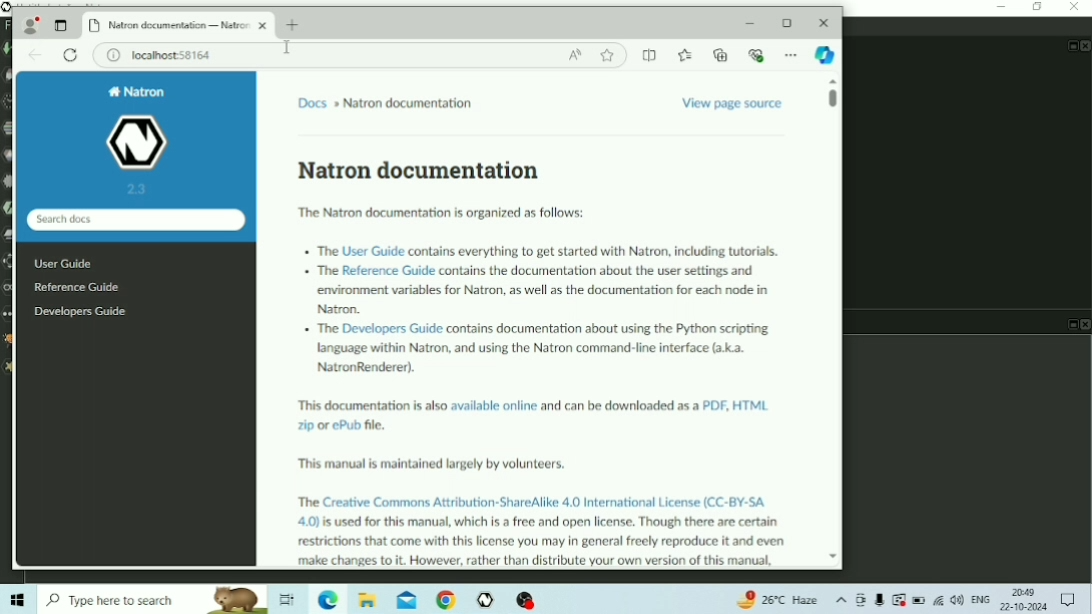  I want to click on Speakers, so click(957, 600).